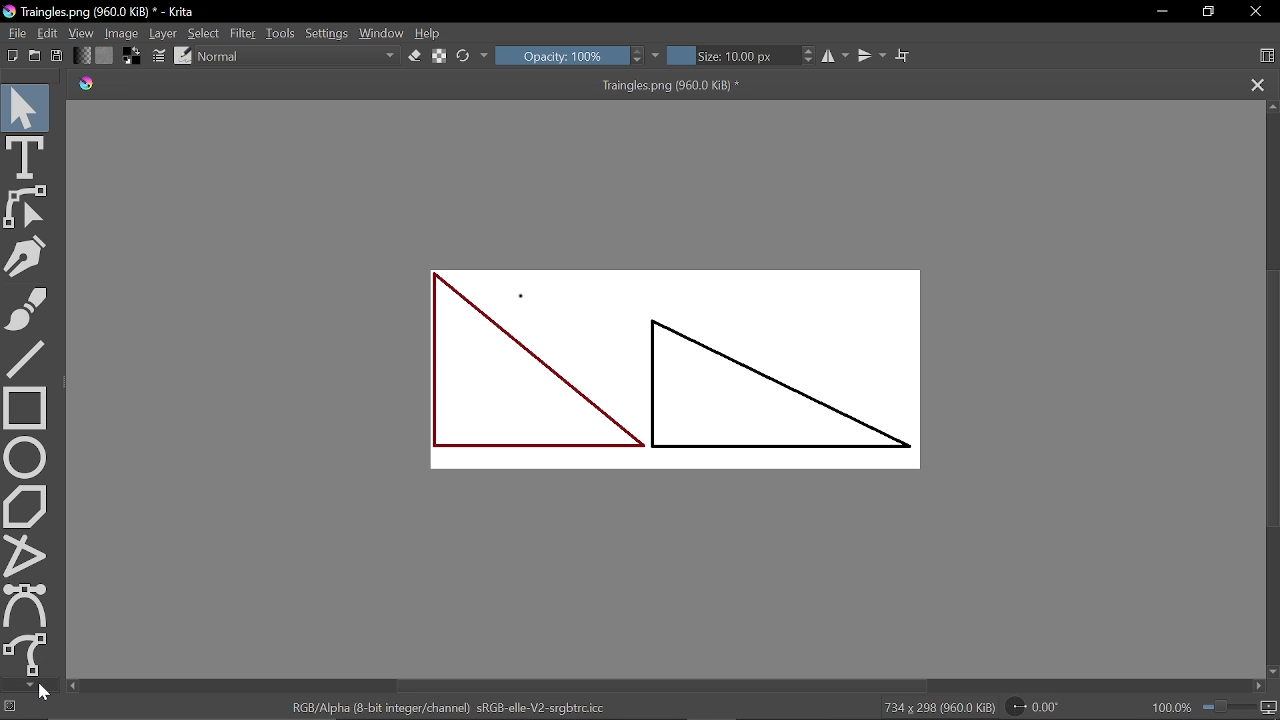  I want to click on Opacity: 100%, so click(561, 57).